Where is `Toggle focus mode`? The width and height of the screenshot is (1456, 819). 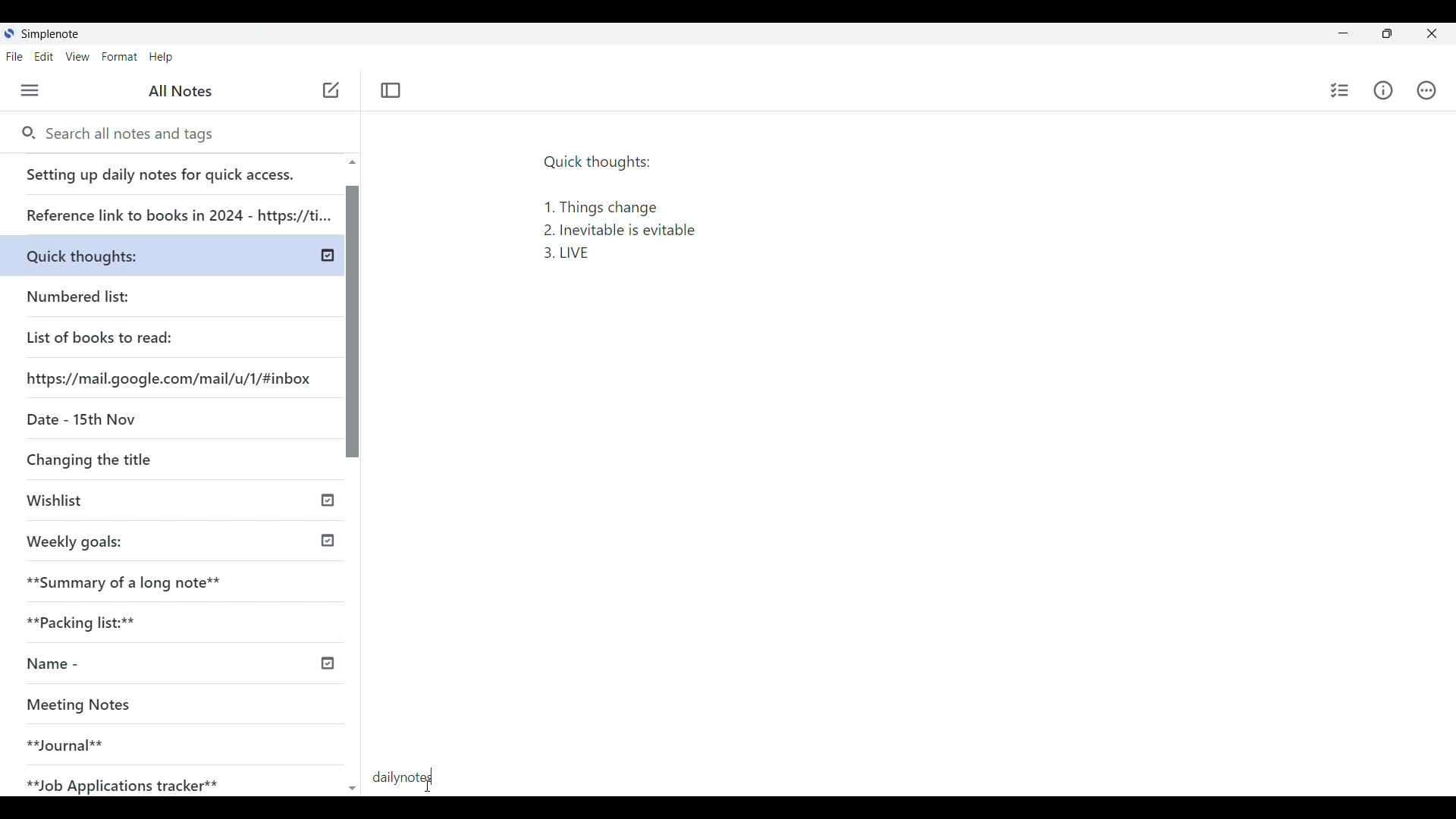
Toggle focus mode is located at coordinates (391, 91).